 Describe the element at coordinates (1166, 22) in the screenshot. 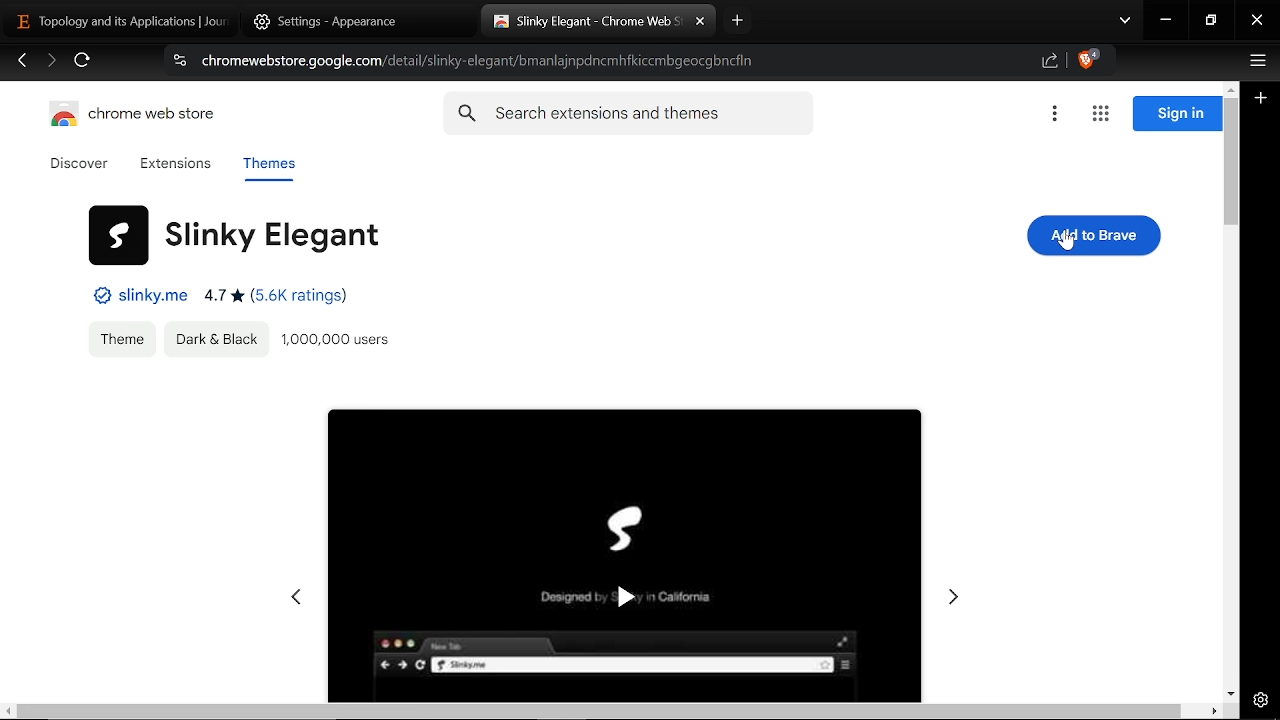

I see `Minimize` at that location.